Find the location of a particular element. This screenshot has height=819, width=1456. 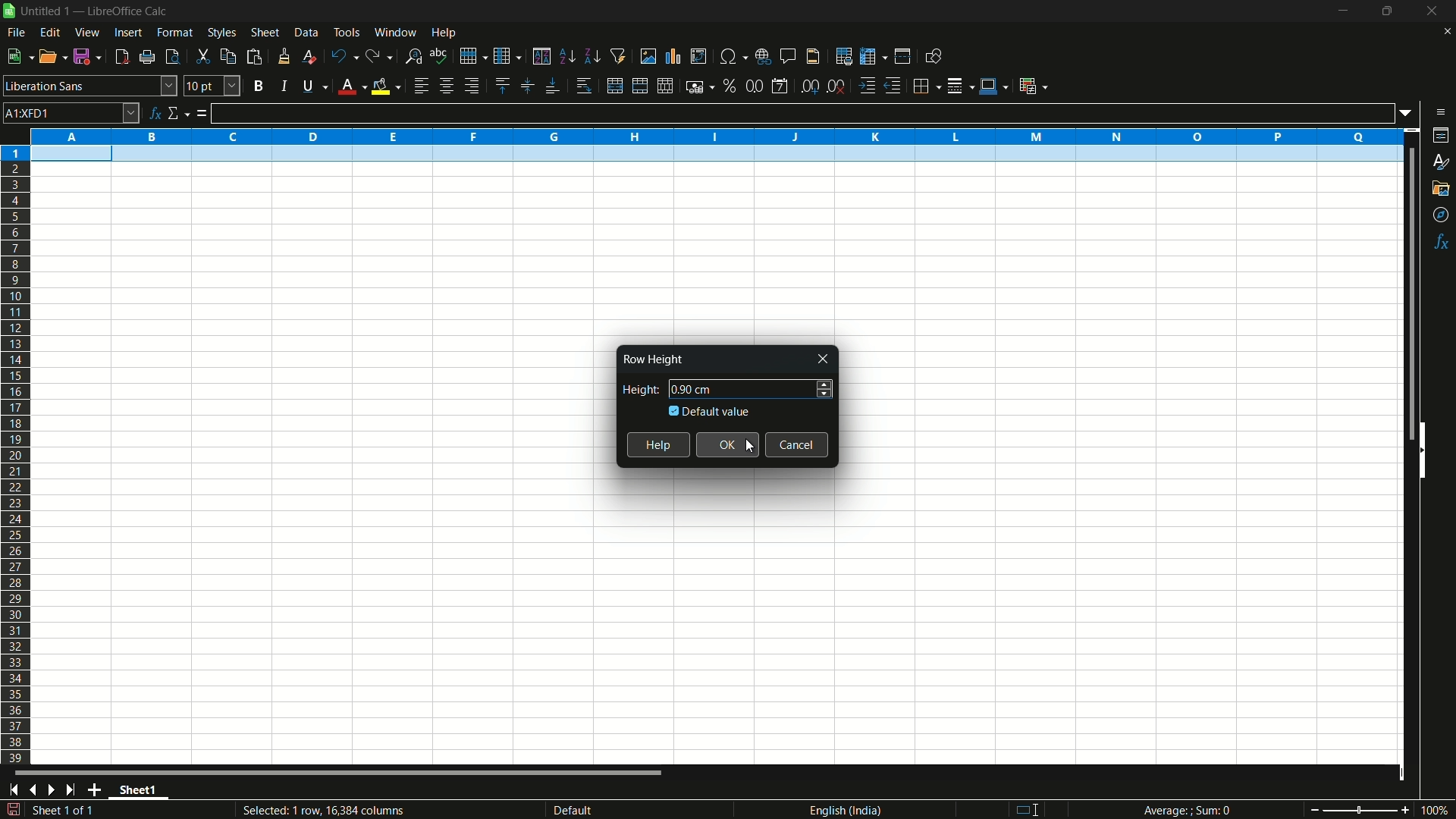

maximize or restore is located at coordinates (1387, 11).